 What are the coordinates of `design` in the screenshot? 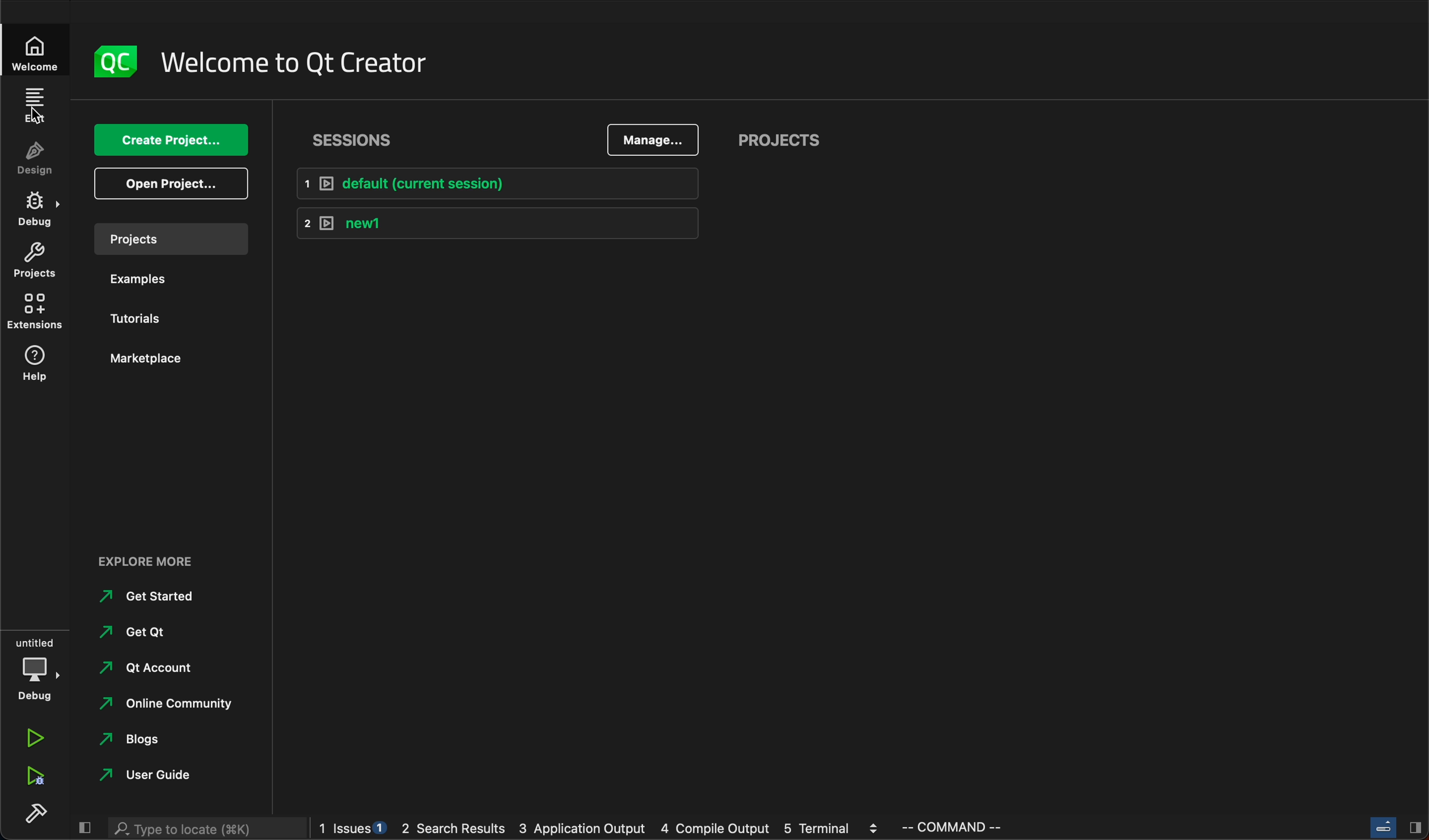 It's located at (36, 158).